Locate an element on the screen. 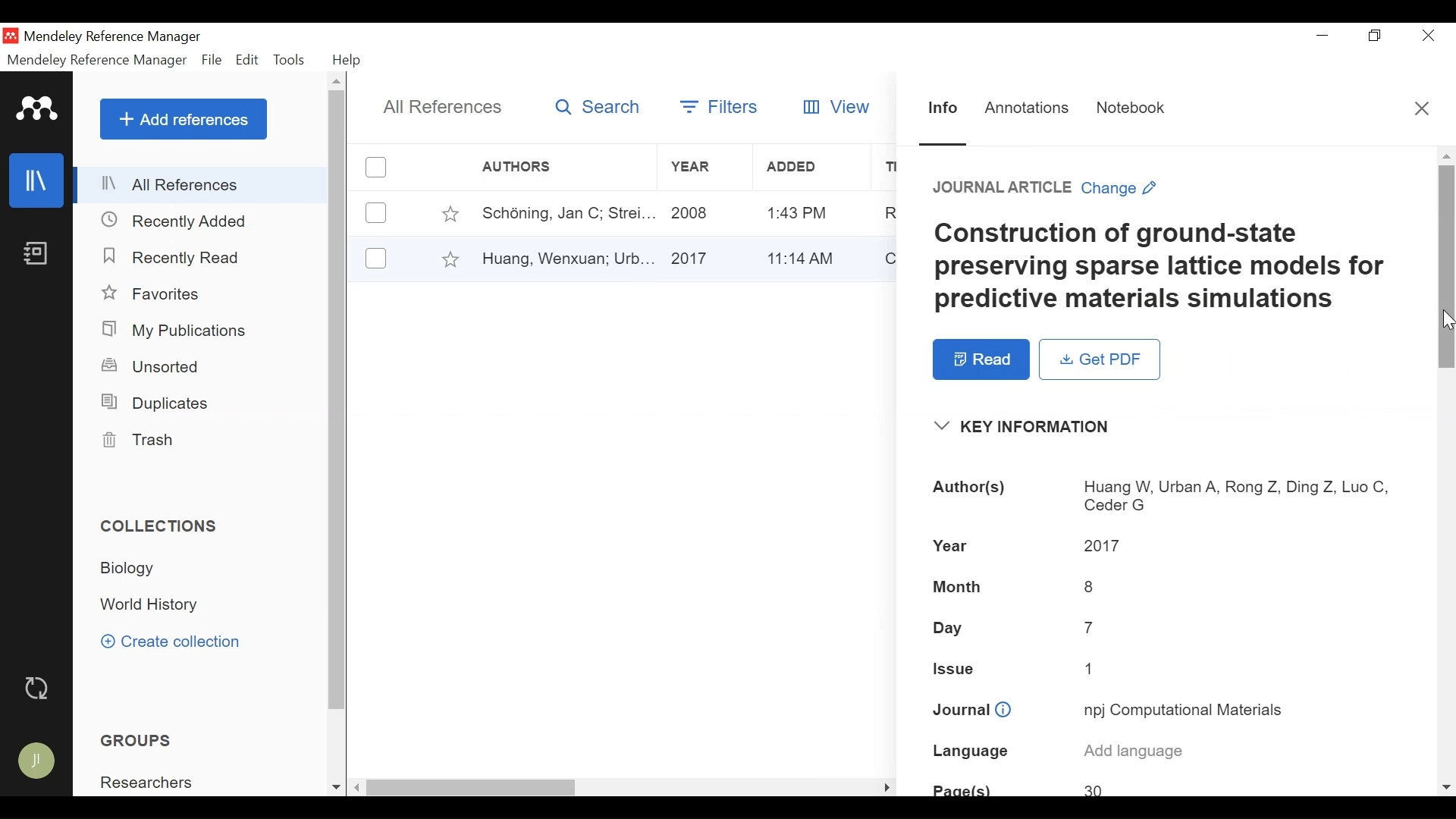 The width and height of the screenshot is (1456, 819). Scroll up is located at coordinates (1445, 155).